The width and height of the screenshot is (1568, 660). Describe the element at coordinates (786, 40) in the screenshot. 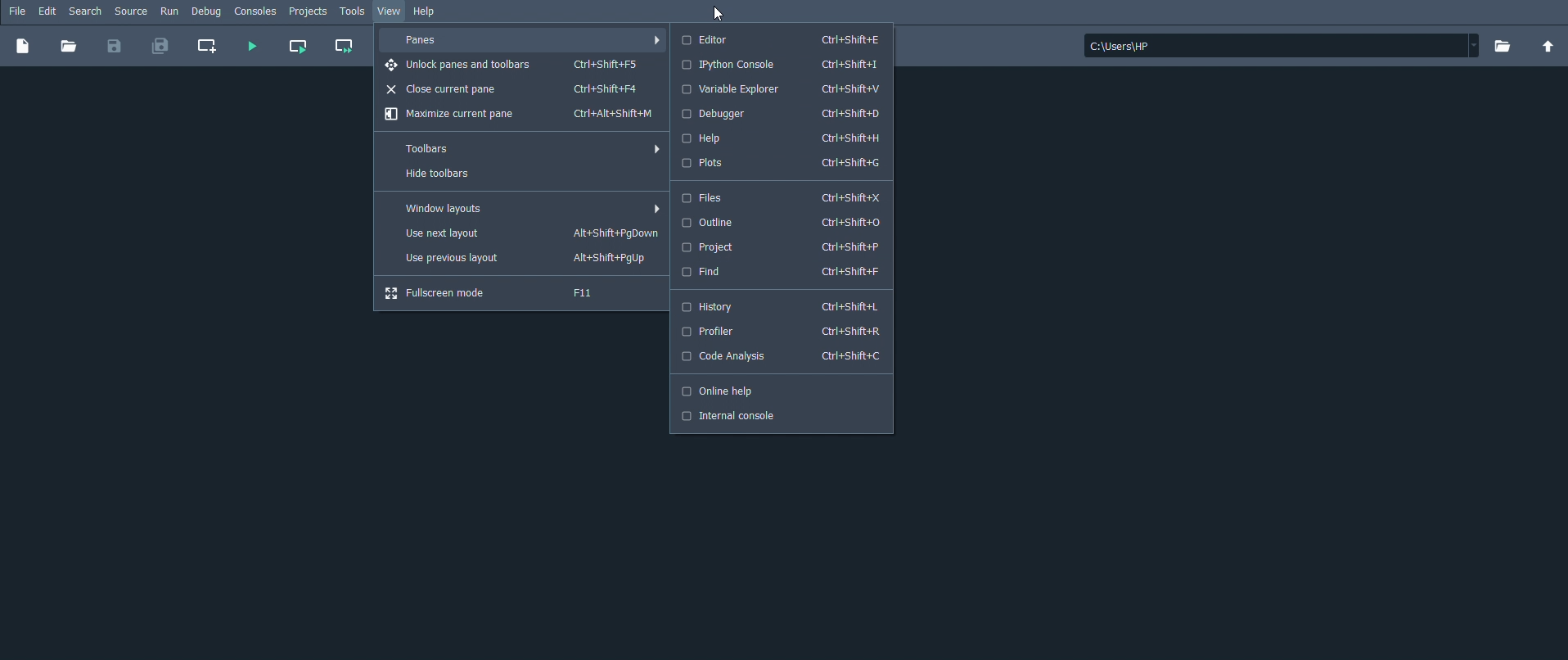

I see `Editor` at that location.